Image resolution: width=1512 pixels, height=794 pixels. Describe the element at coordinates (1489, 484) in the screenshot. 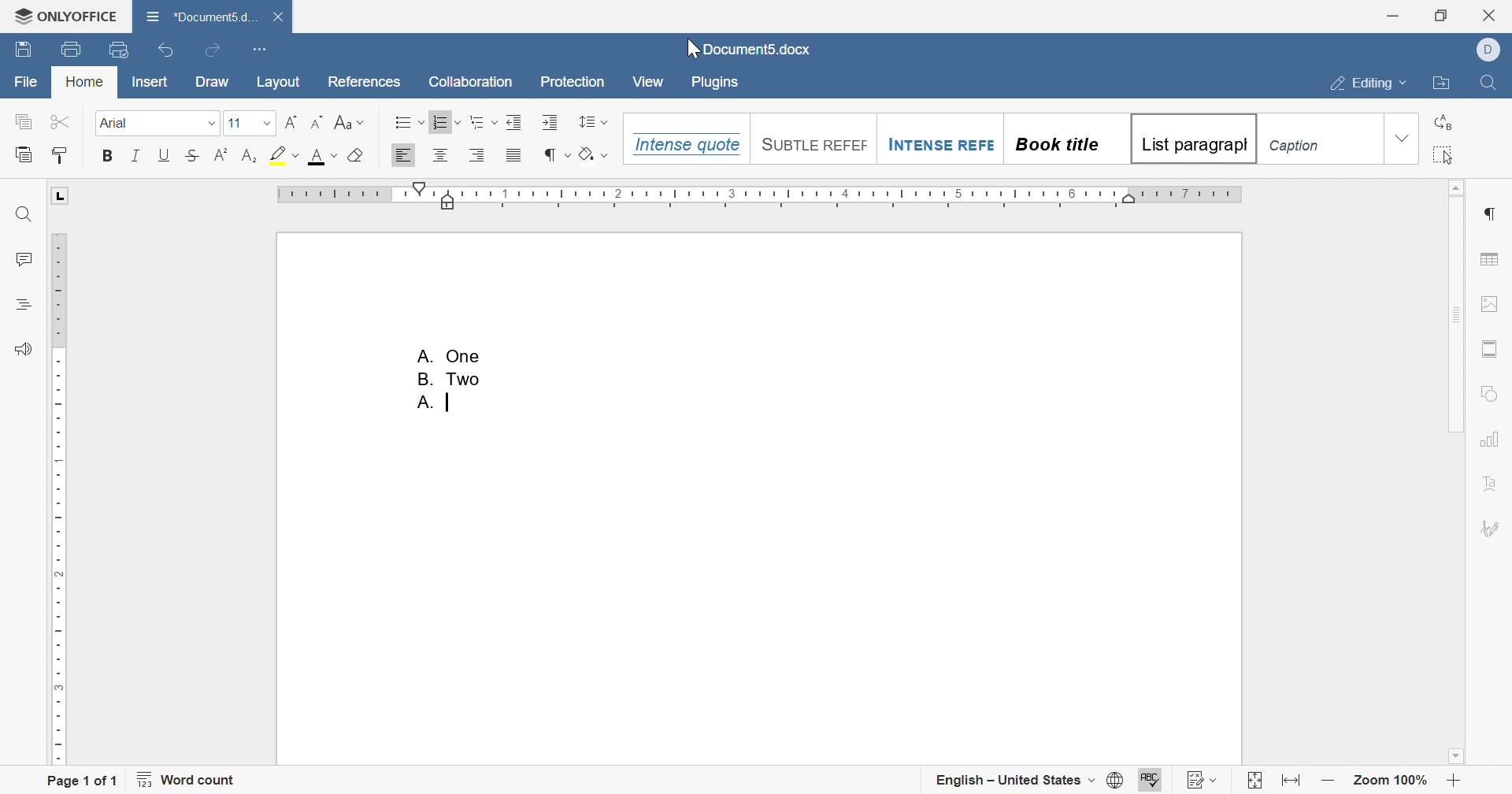

I see `text art settings` at that location.